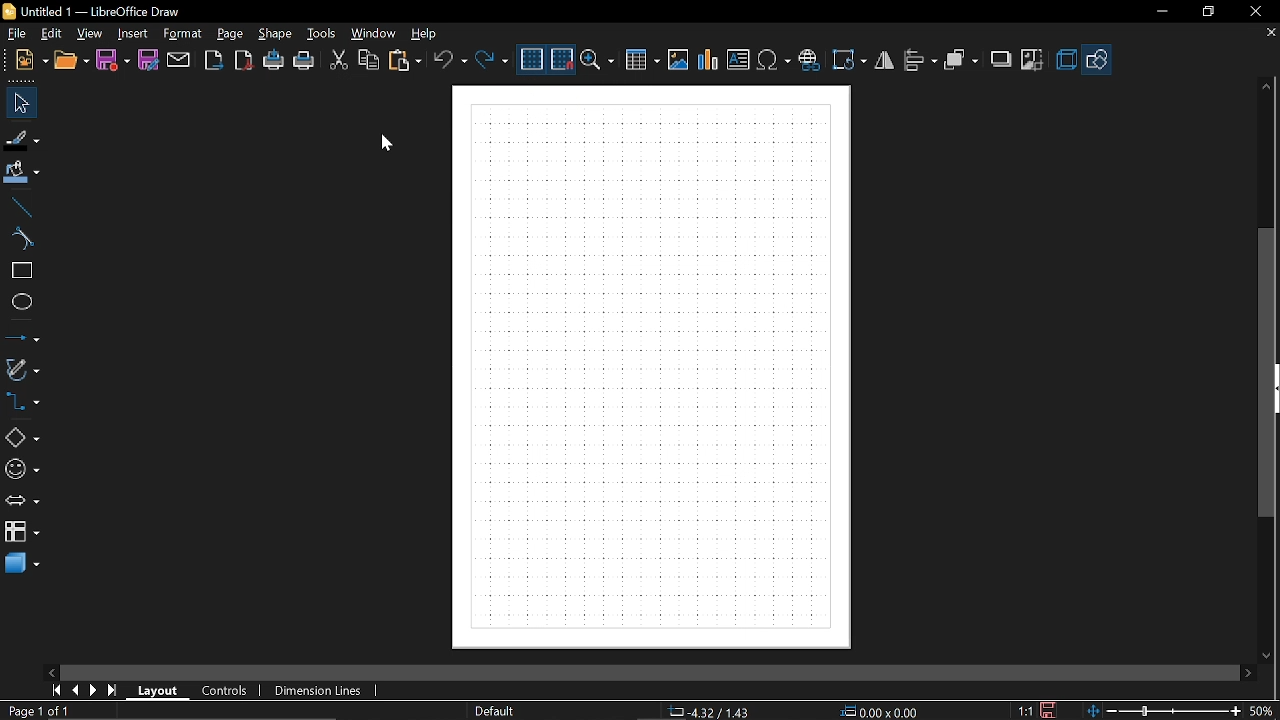 The width and height of the screenshot is (1280, 720). Describe the element at coordinates (275, 61) in the screenshot. I see `Print directly` at that location.